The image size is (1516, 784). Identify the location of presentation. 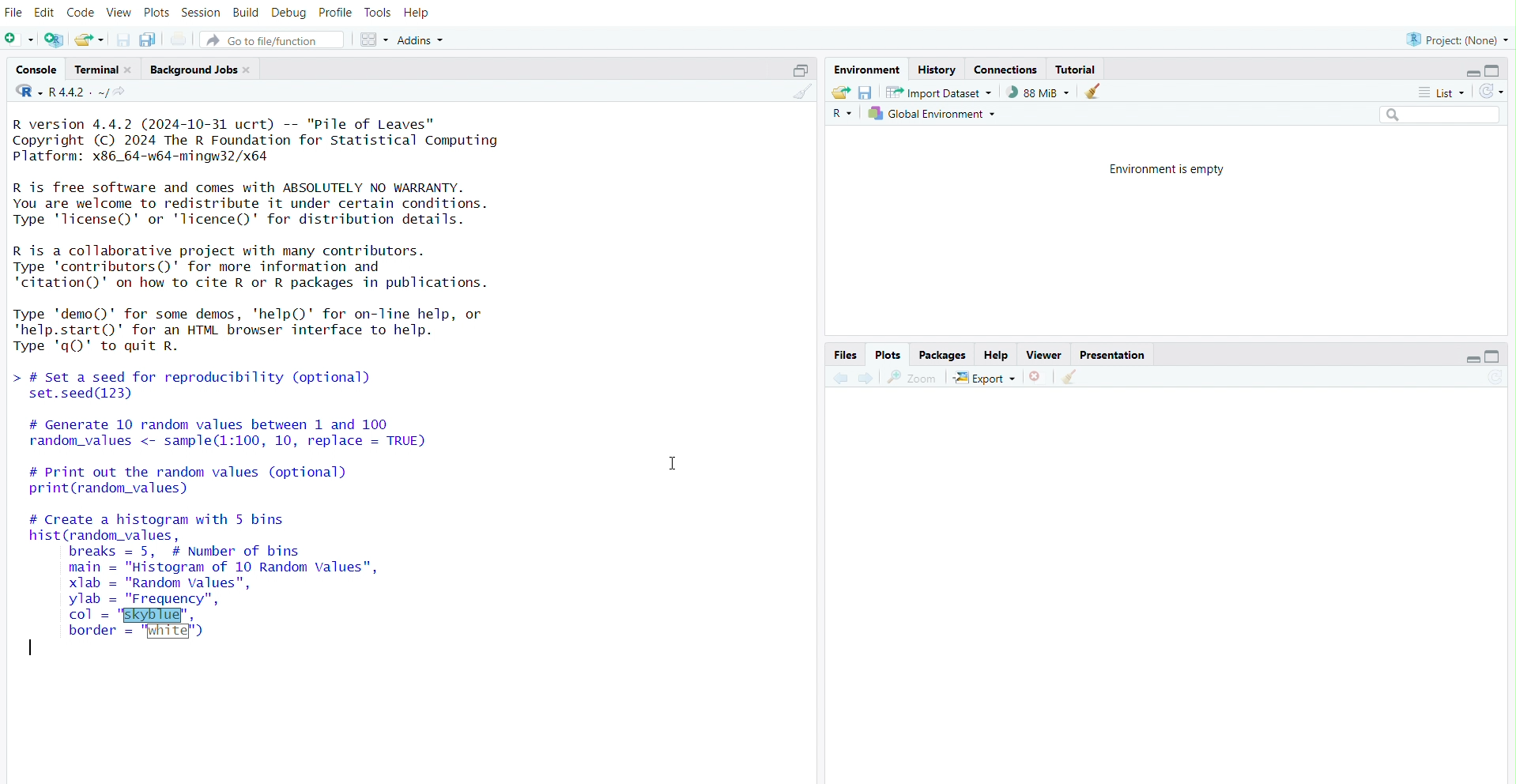
(1117, 353).